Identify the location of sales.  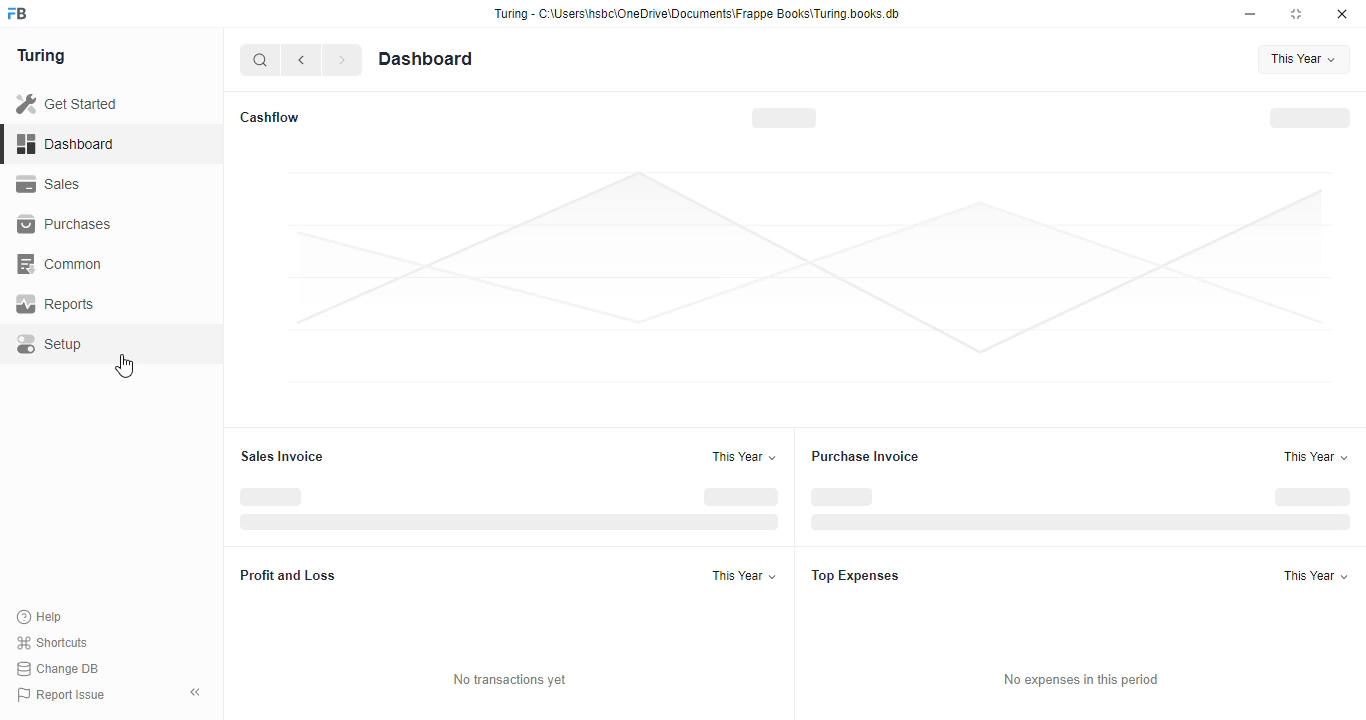
(52, 184).